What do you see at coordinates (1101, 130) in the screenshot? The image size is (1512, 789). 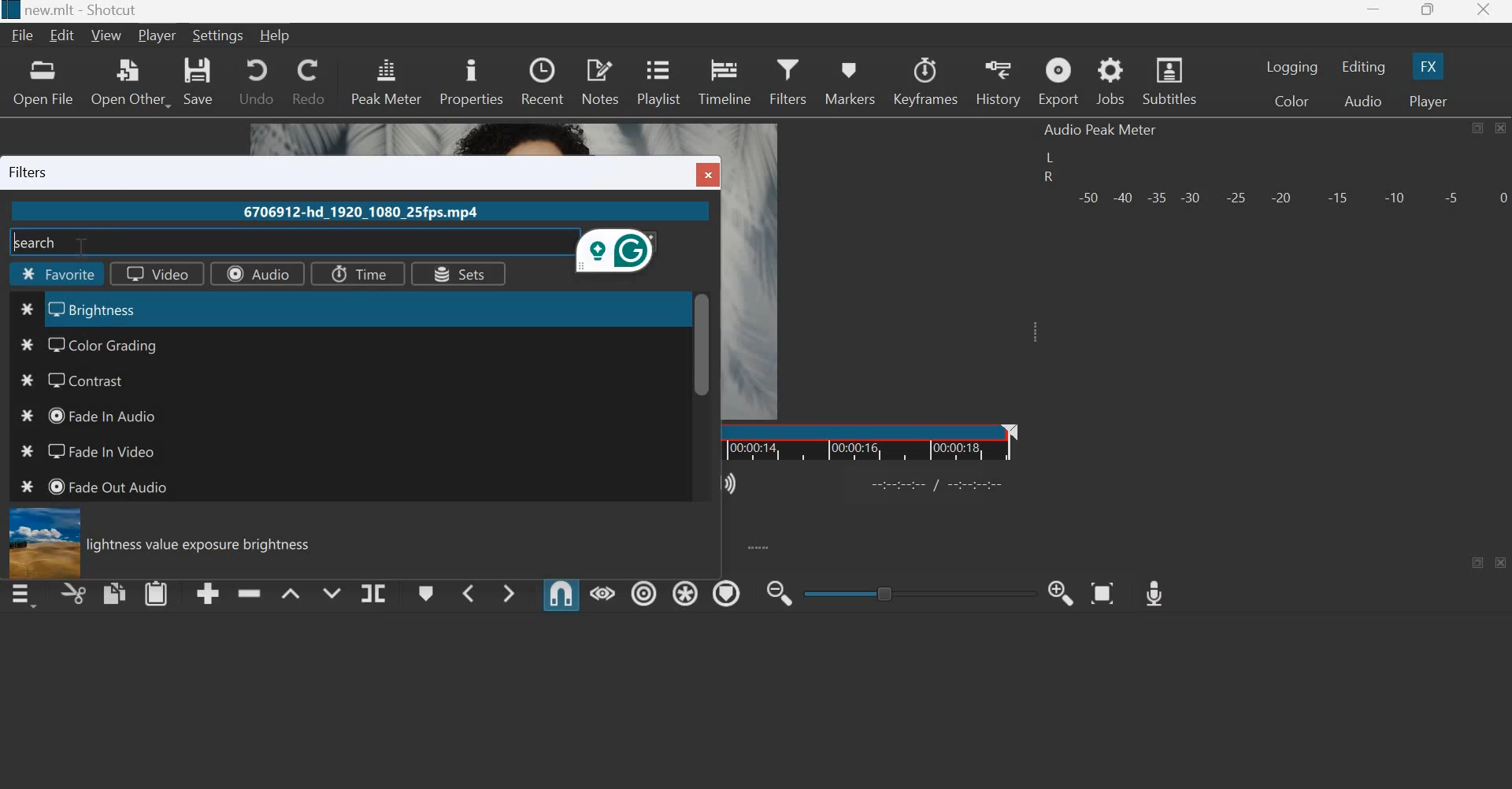 I see `Audio Peak Meter` at bounding box center [1101, 130].